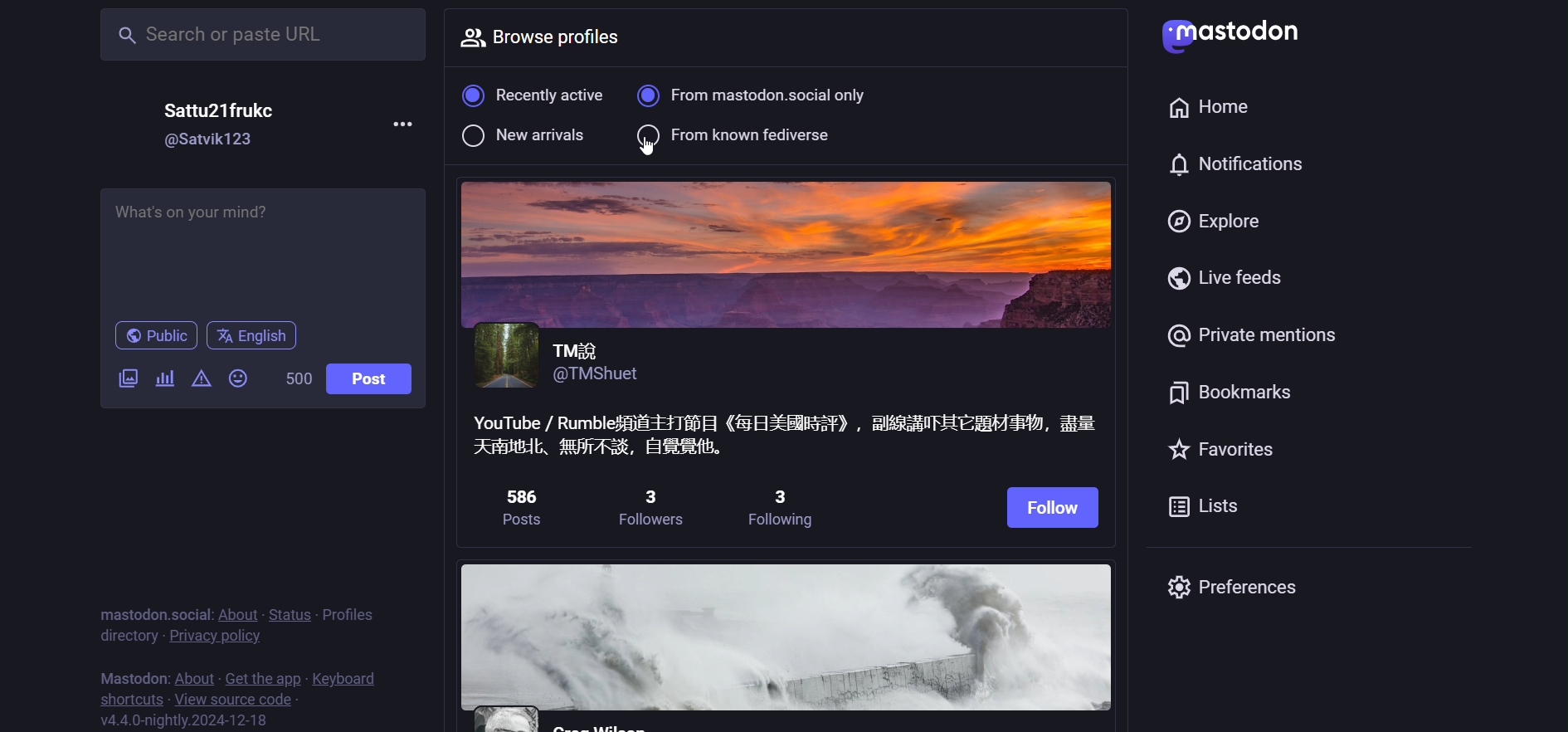 Image resolution: width=1568 pixels, height=732 pixels. I want to click on shortcut, so click(129, 699).